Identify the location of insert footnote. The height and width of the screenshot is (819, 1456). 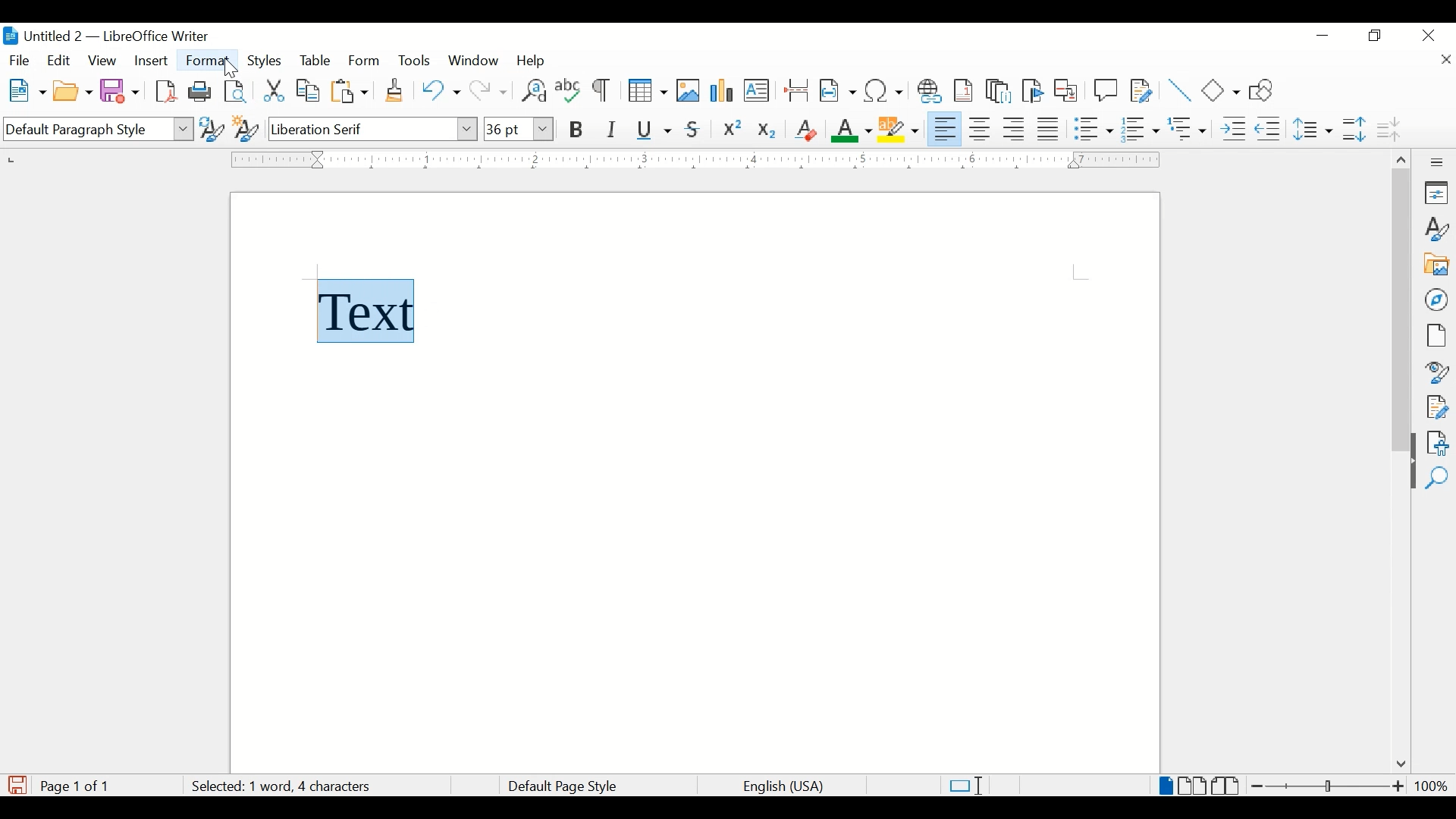
(966, 90).